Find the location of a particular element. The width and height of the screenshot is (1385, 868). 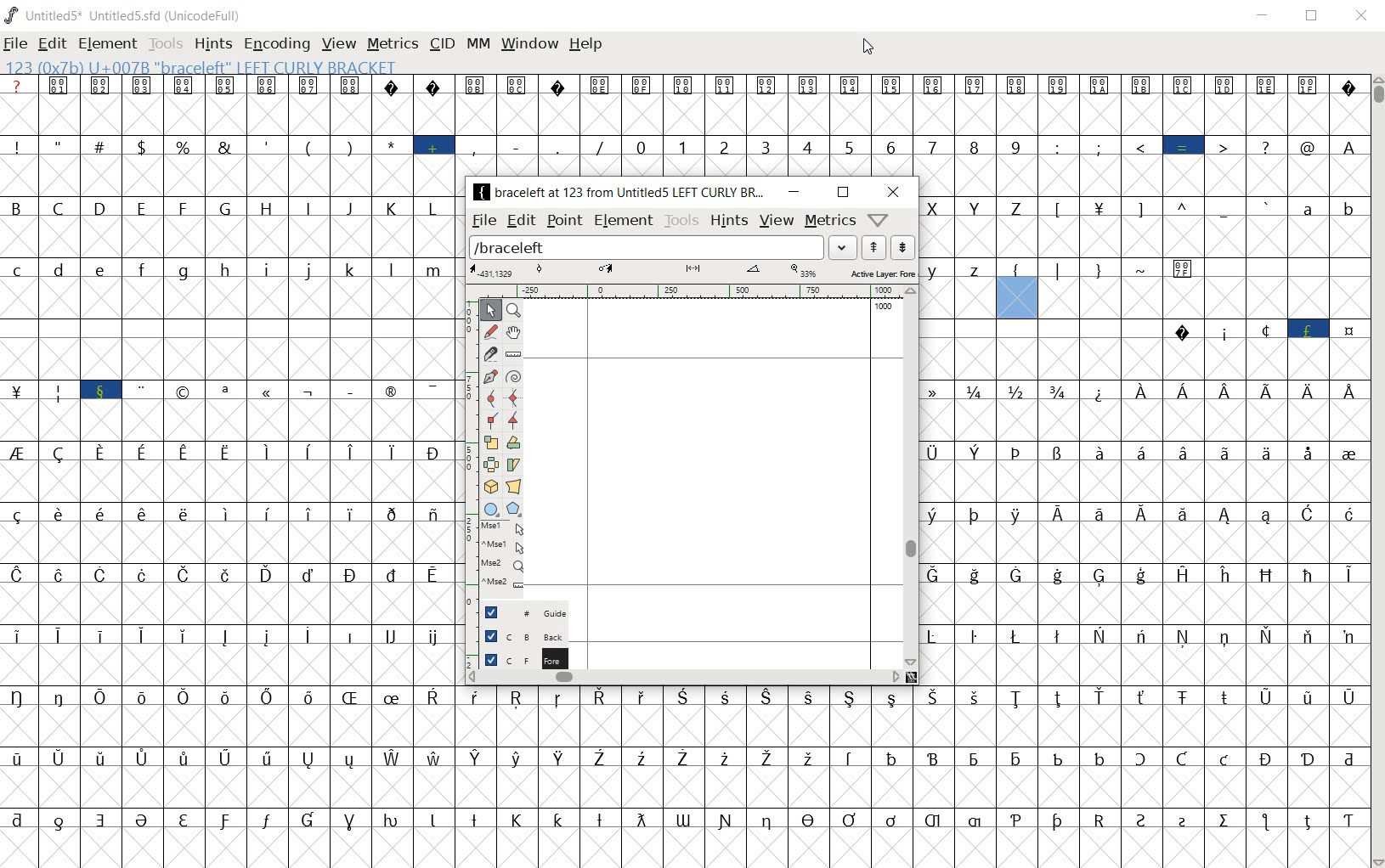

minimize is located at coordinates (1266, 16).